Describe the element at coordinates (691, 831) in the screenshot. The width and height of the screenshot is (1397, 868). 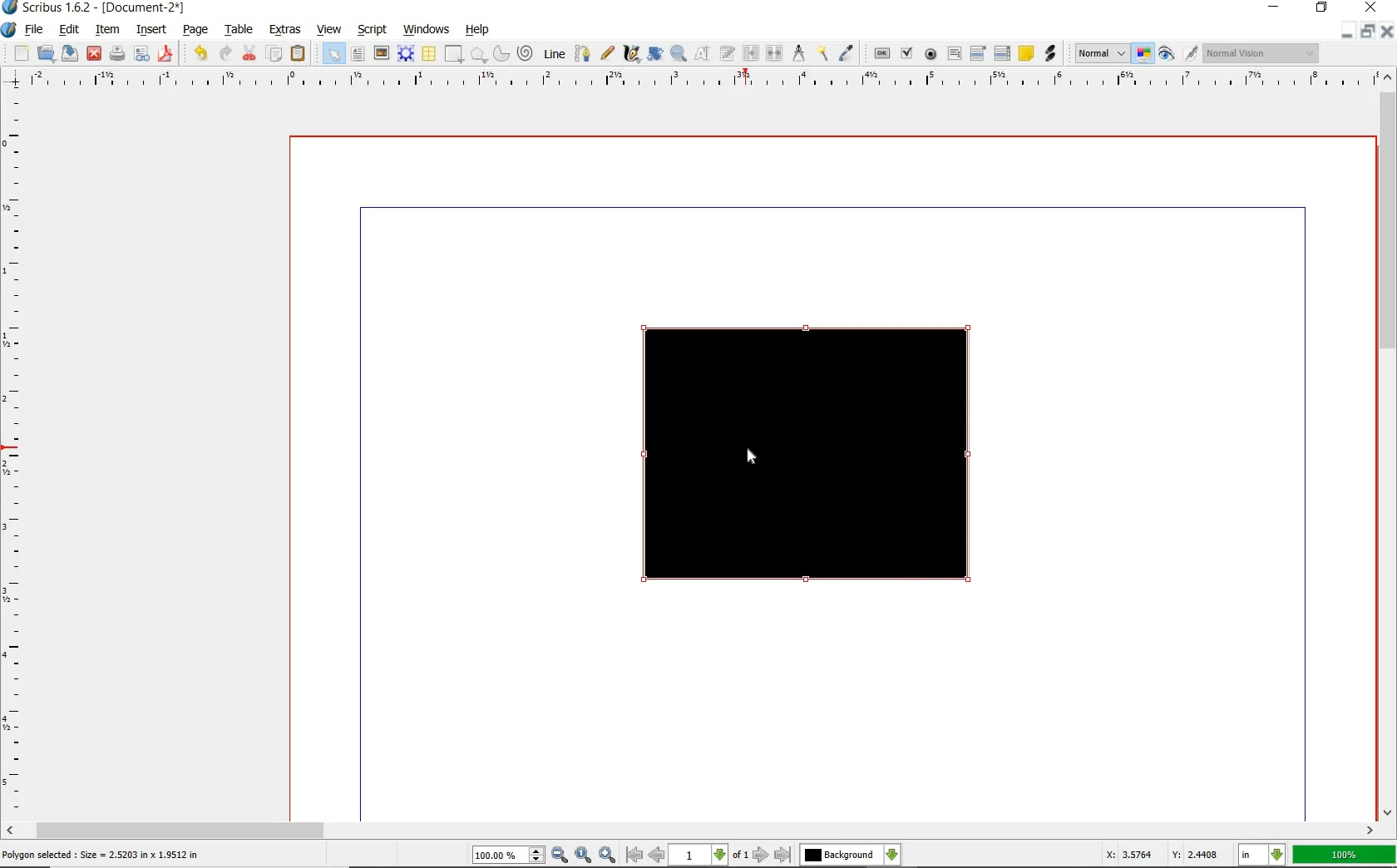
I see `scrollbar` at that location.